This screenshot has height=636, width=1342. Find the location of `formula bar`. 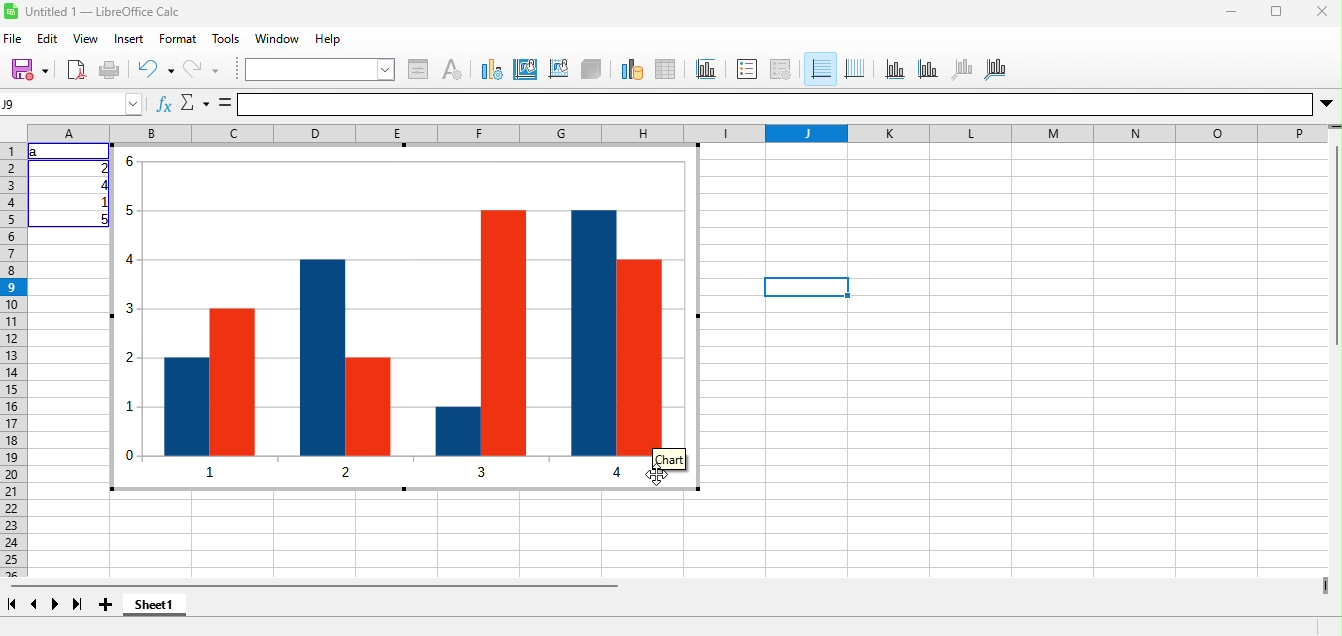

formula bar is located at coordinates (775, 104).